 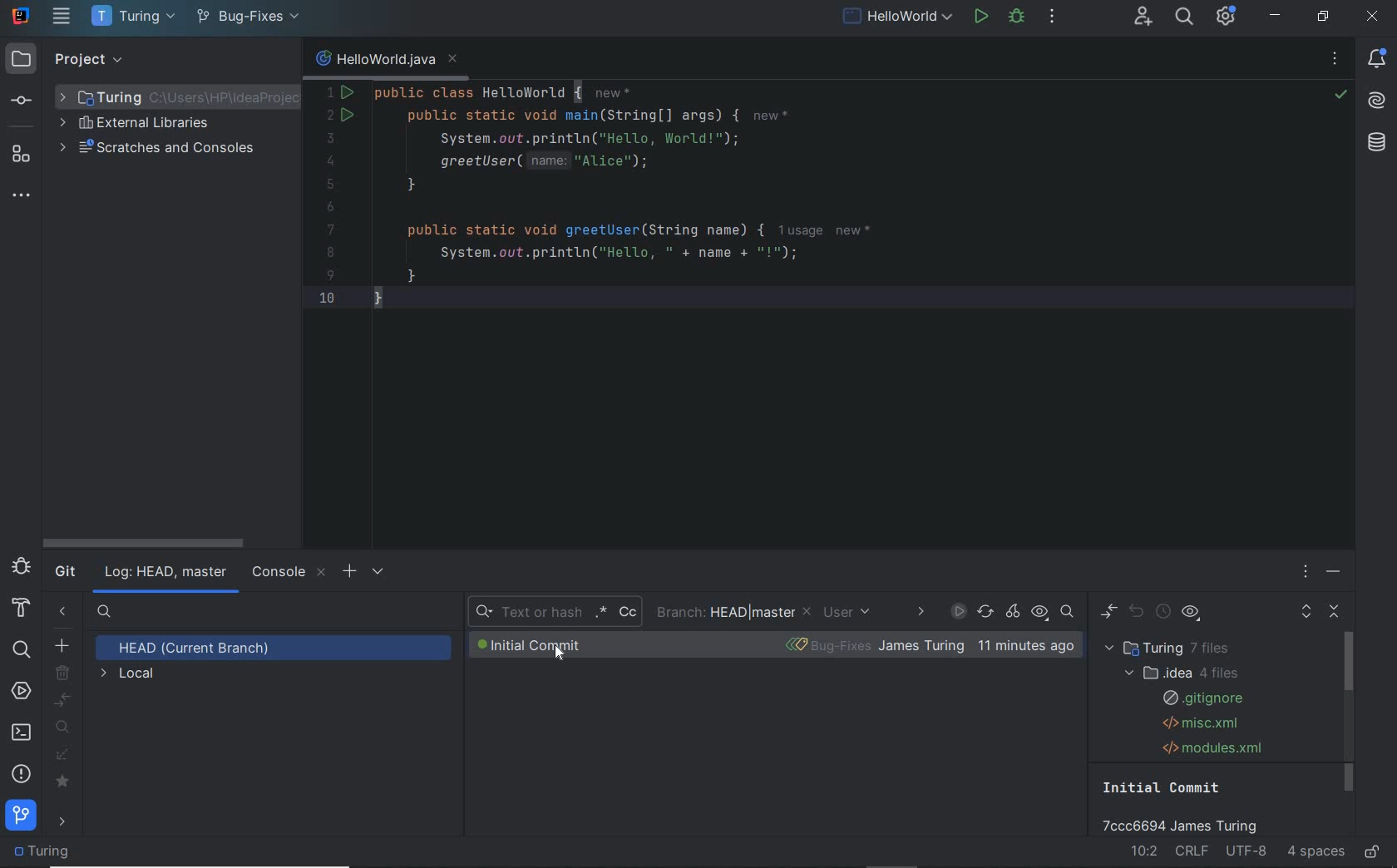 What do you see at coordinates (873, 646) in the screenshot?
I see `BUG-FIXES` at bounding box center [873, 646].